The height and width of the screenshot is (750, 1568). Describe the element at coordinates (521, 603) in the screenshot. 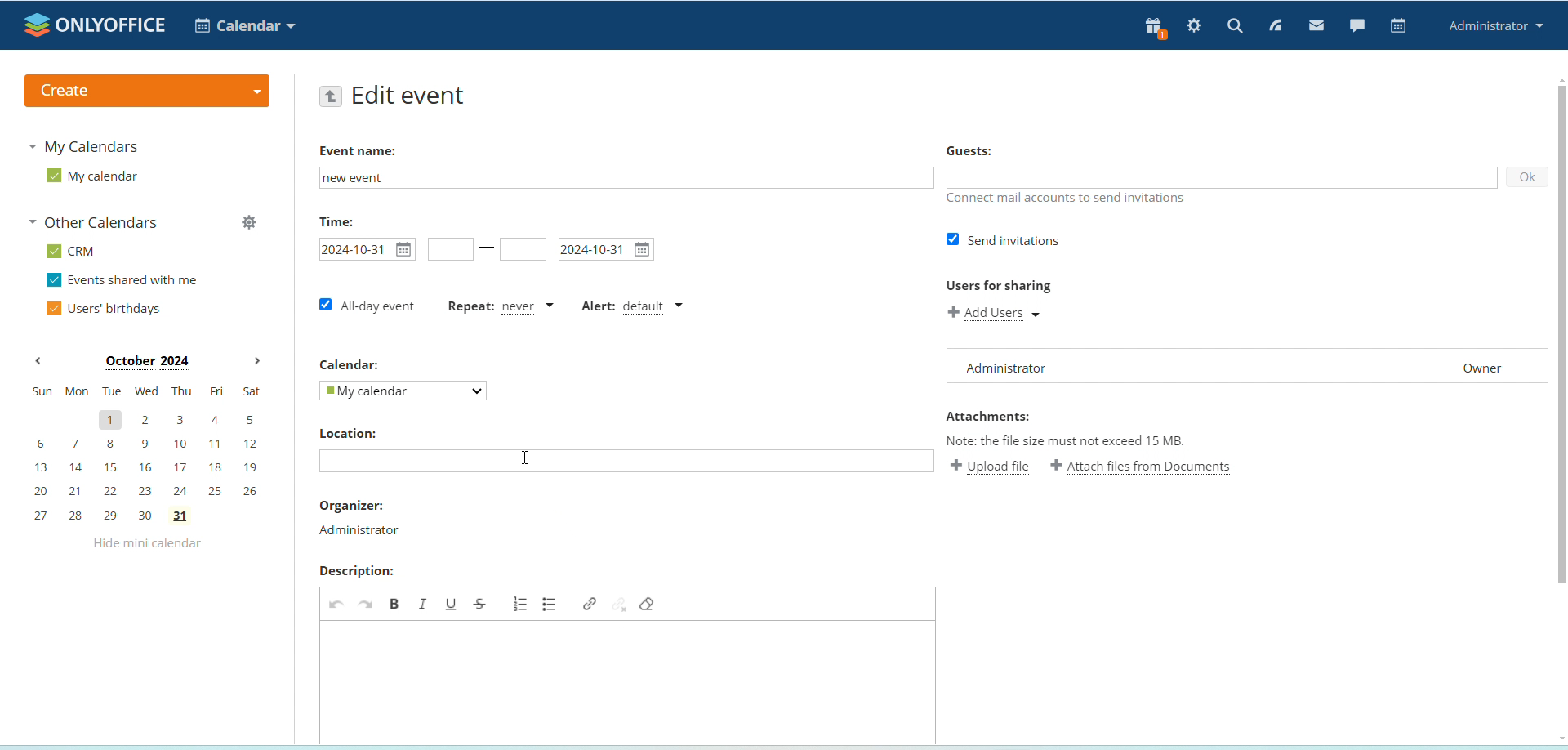

I see `add/remove numbered list` at that location.